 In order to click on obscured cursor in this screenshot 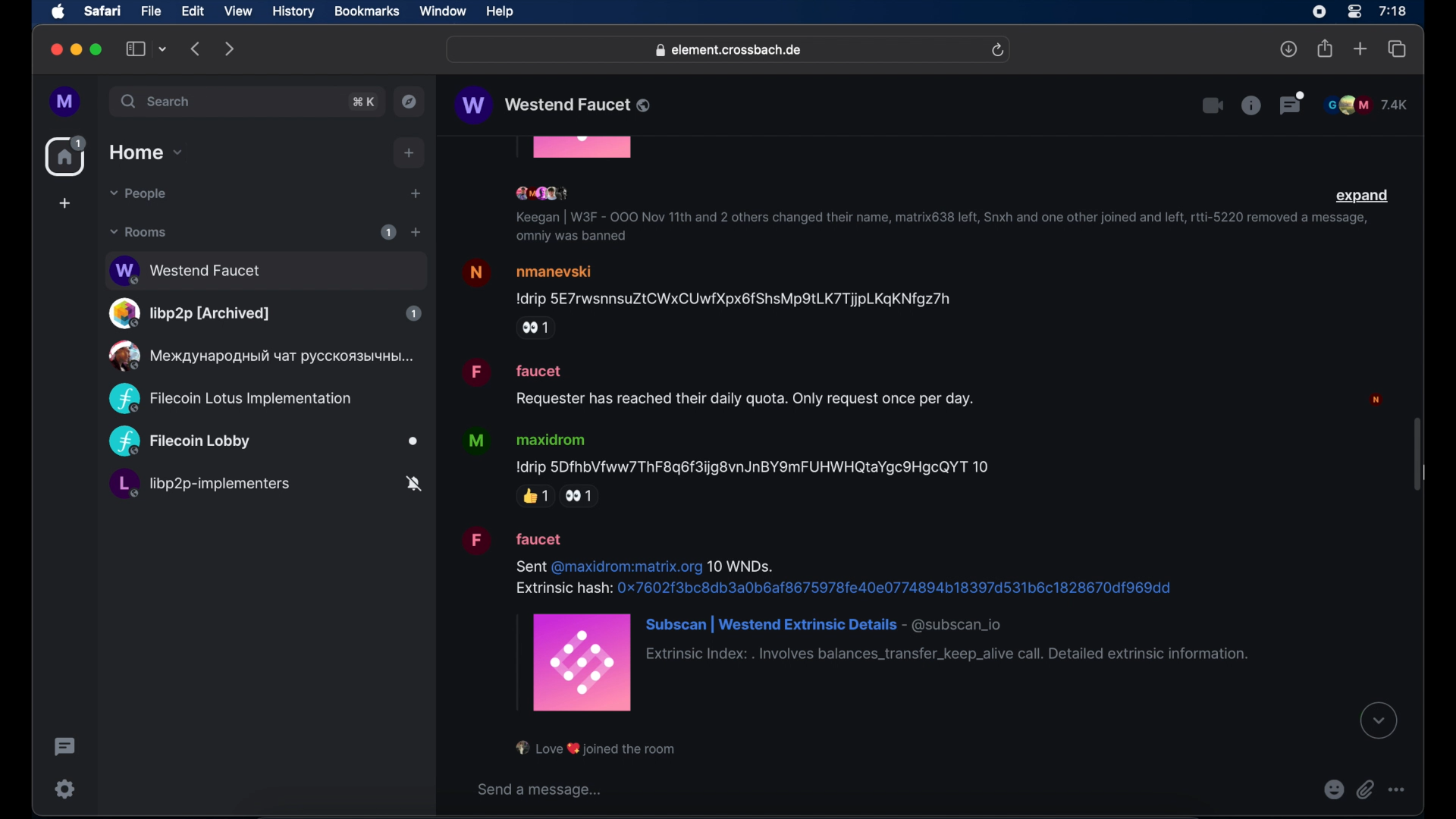, I will do `click(1426, 473)`.